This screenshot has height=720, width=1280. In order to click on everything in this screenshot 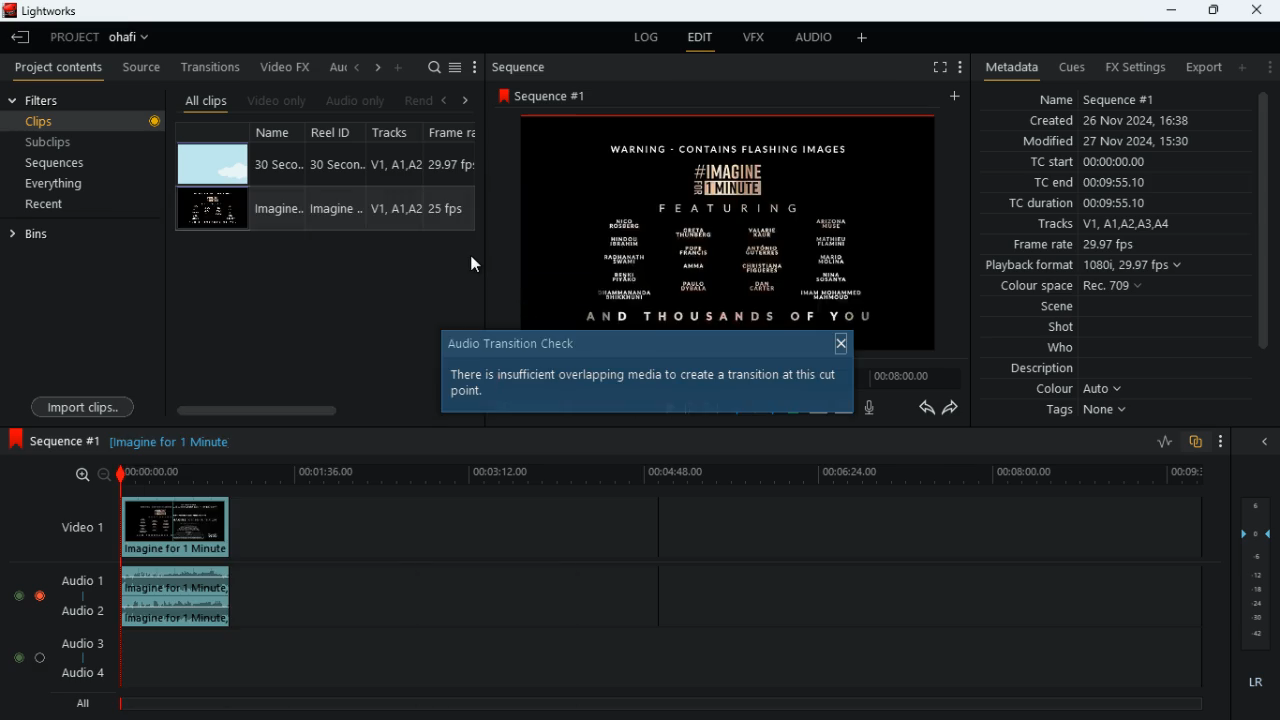, I will do `click(51, 185)`.